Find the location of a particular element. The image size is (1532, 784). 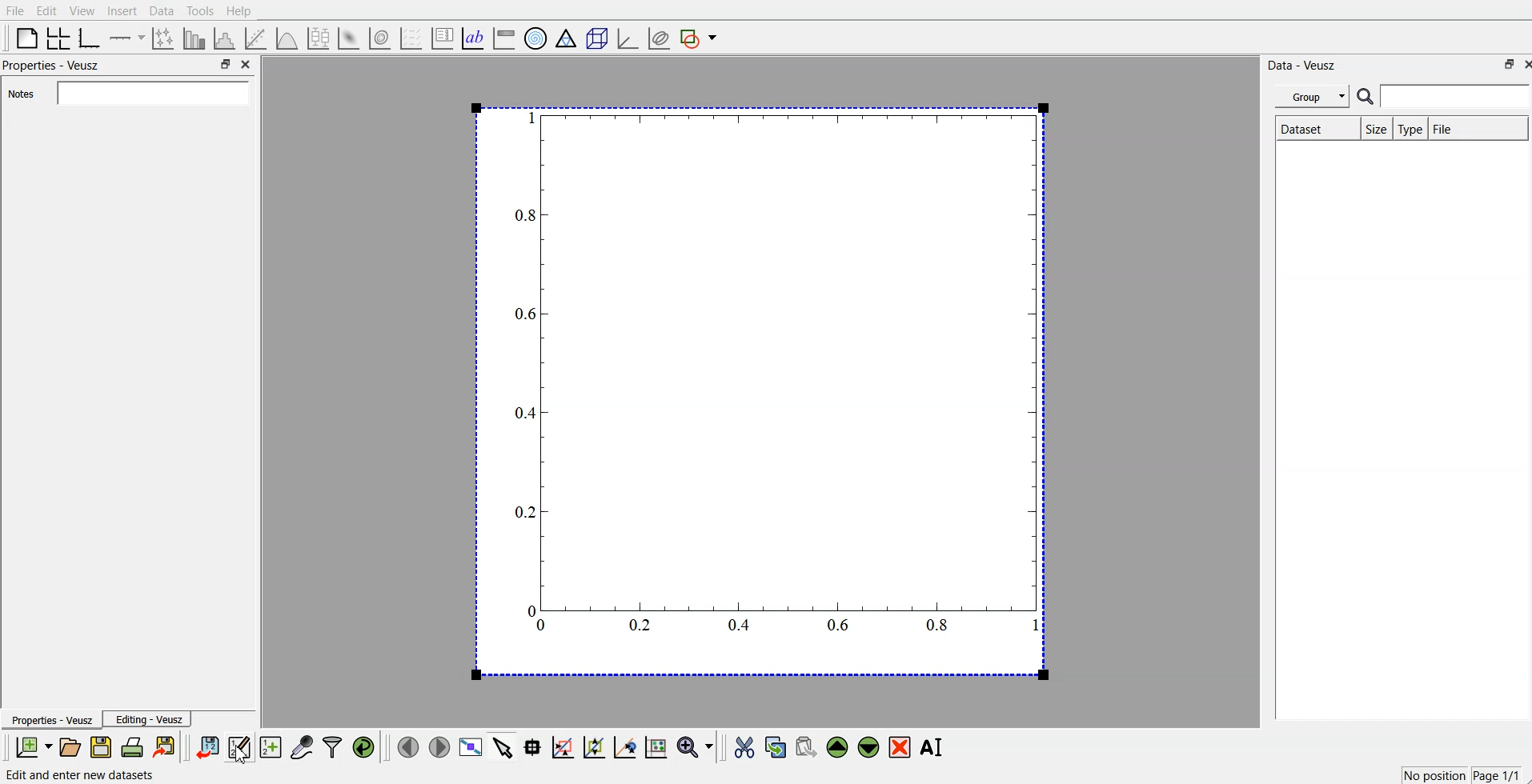

lines and error bars is located at coordinates (165, 38).